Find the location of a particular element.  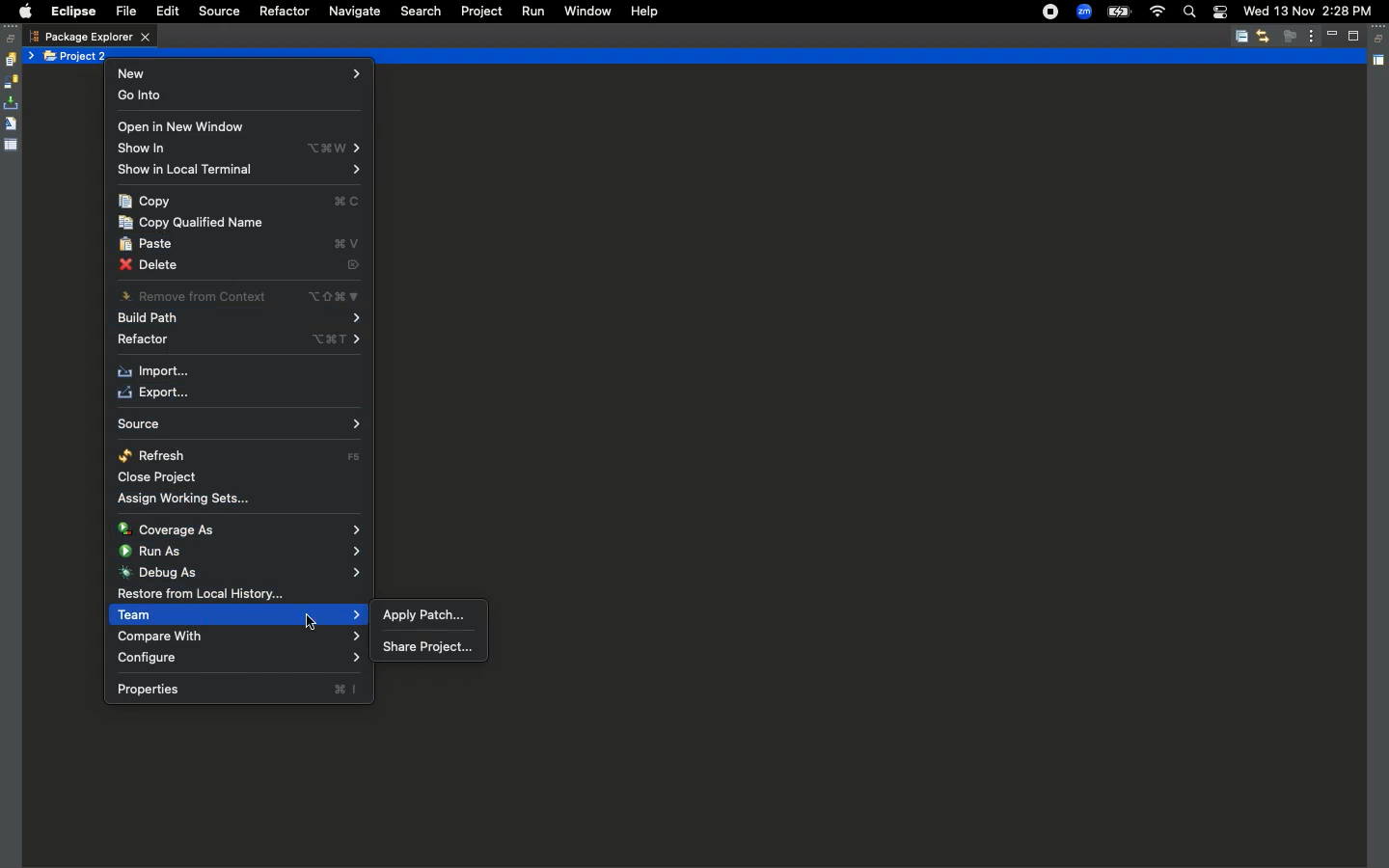

Paste  is located at coordinates (242, 246).